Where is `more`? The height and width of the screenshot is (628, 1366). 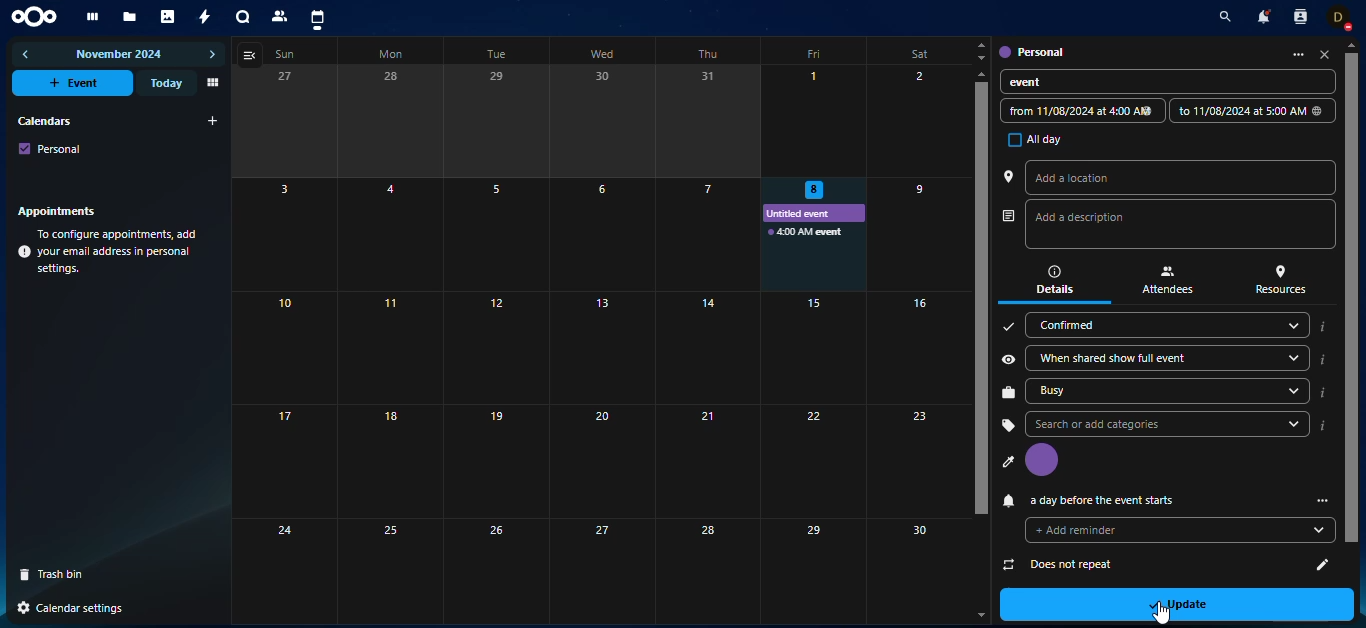
more is located at coordinates (1323, 500).